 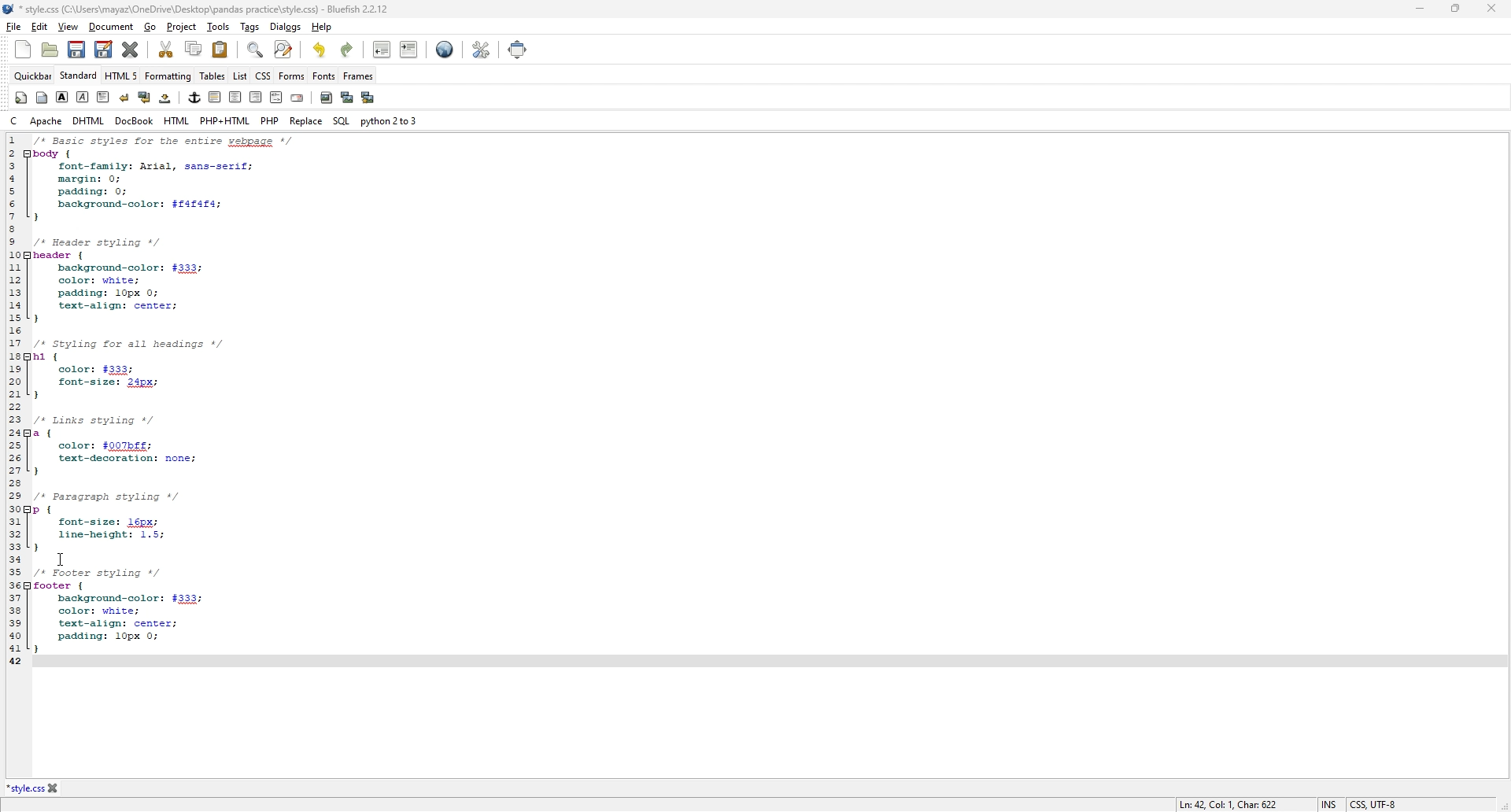 What do you see at coordinates (168, 76) in the screenshot?
I see `formatting` at bounding box center [168, 76].